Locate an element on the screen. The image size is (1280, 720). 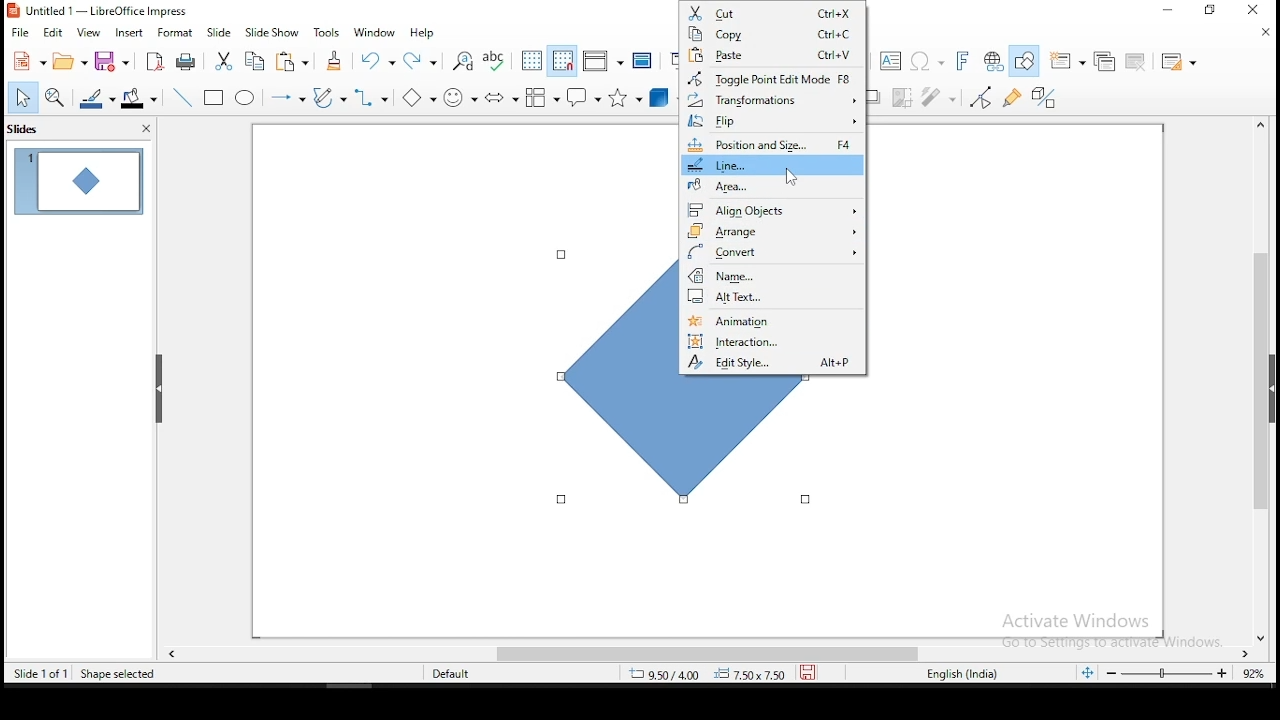
slide layout is located at coordinates (1182, 62).